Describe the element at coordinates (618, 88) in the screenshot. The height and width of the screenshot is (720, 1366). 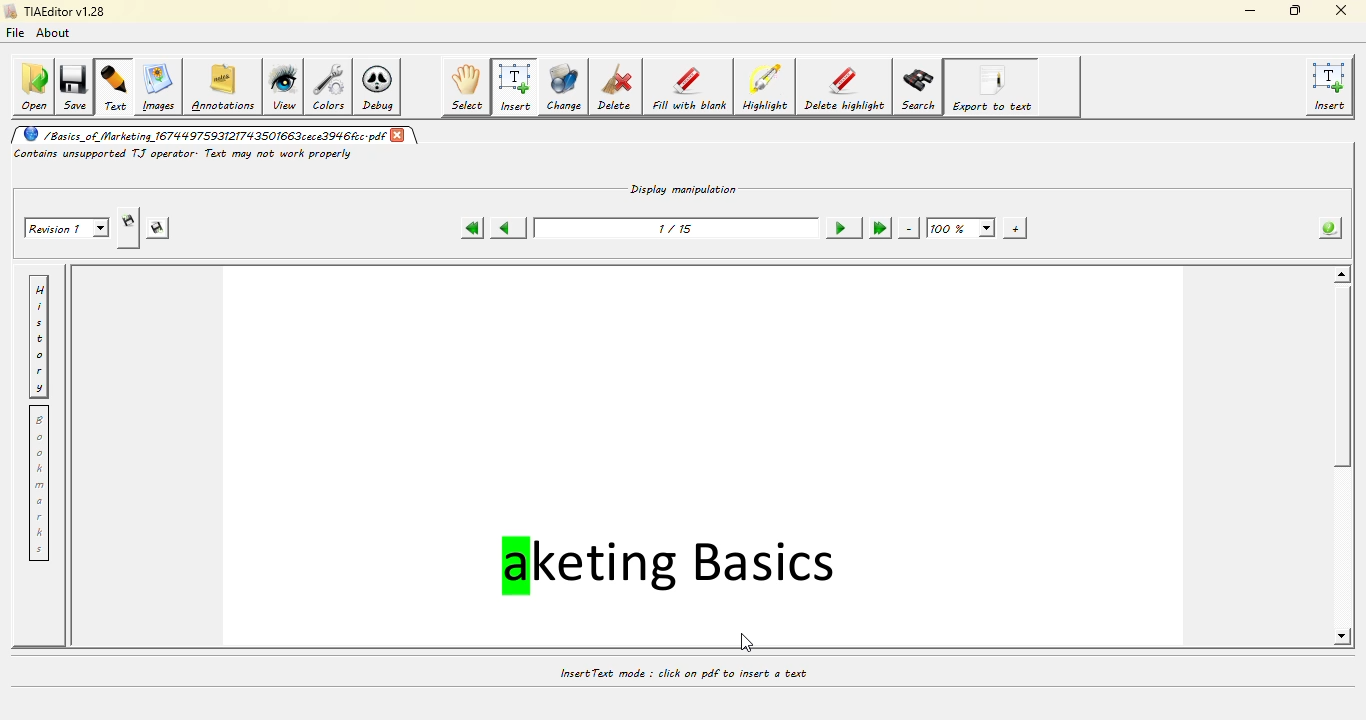
I see `delete` at that location.